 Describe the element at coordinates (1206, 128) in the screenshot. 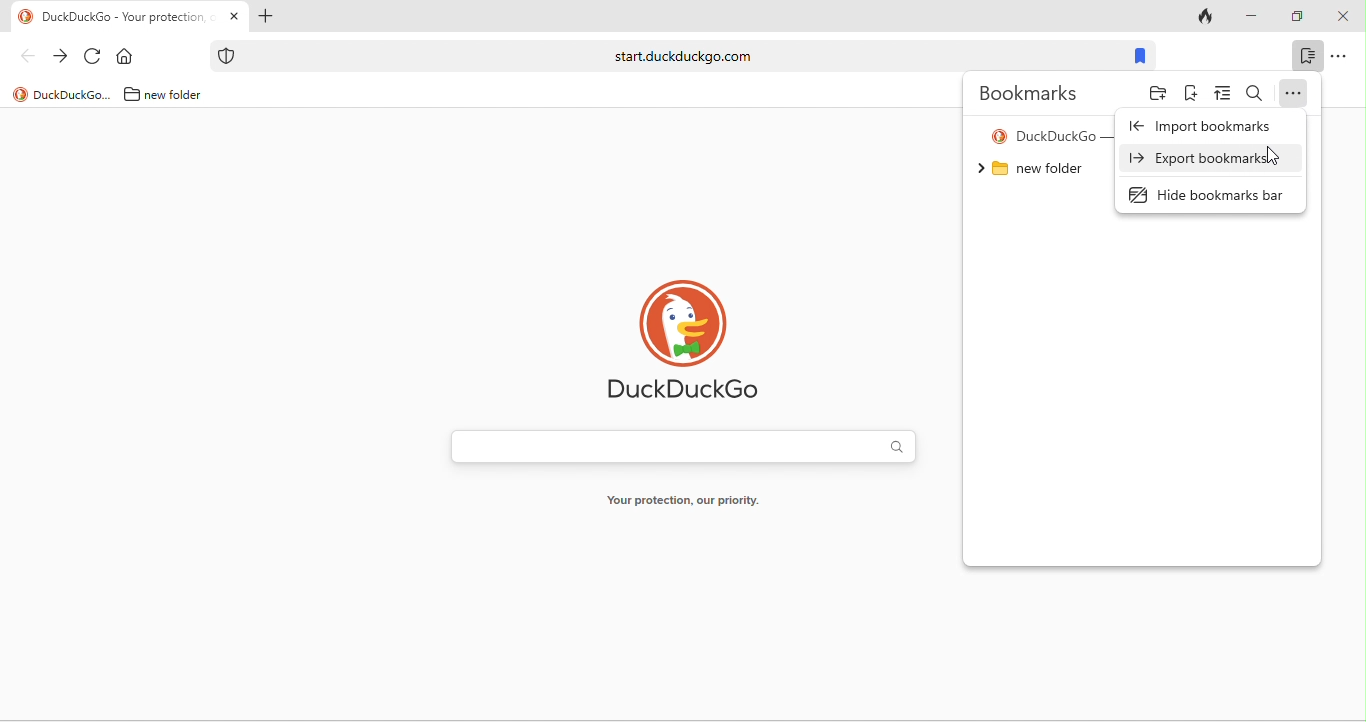

I see `import bookmarks` at that location.